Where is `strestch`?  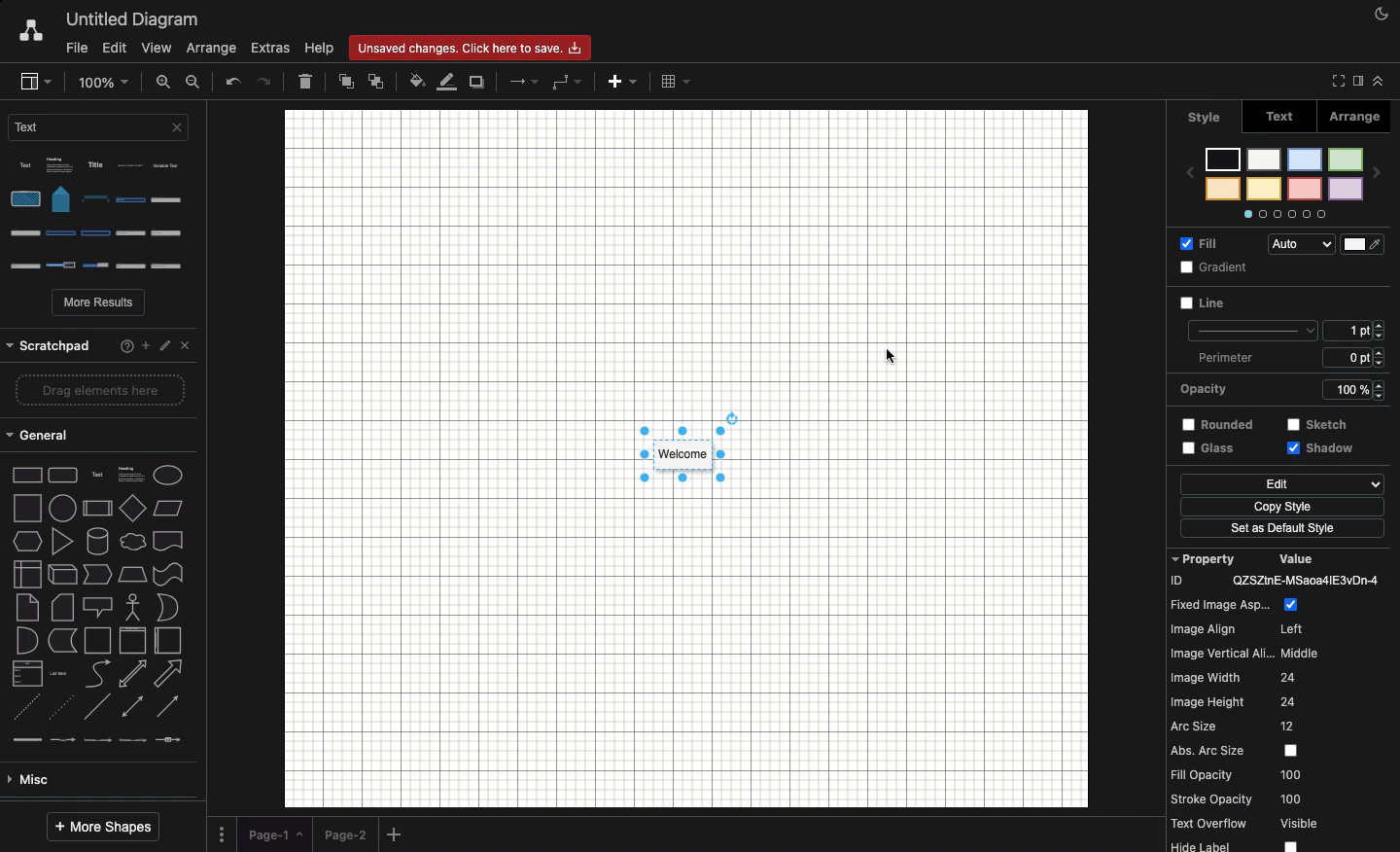
strestch is located at coordinates (1350, 388).